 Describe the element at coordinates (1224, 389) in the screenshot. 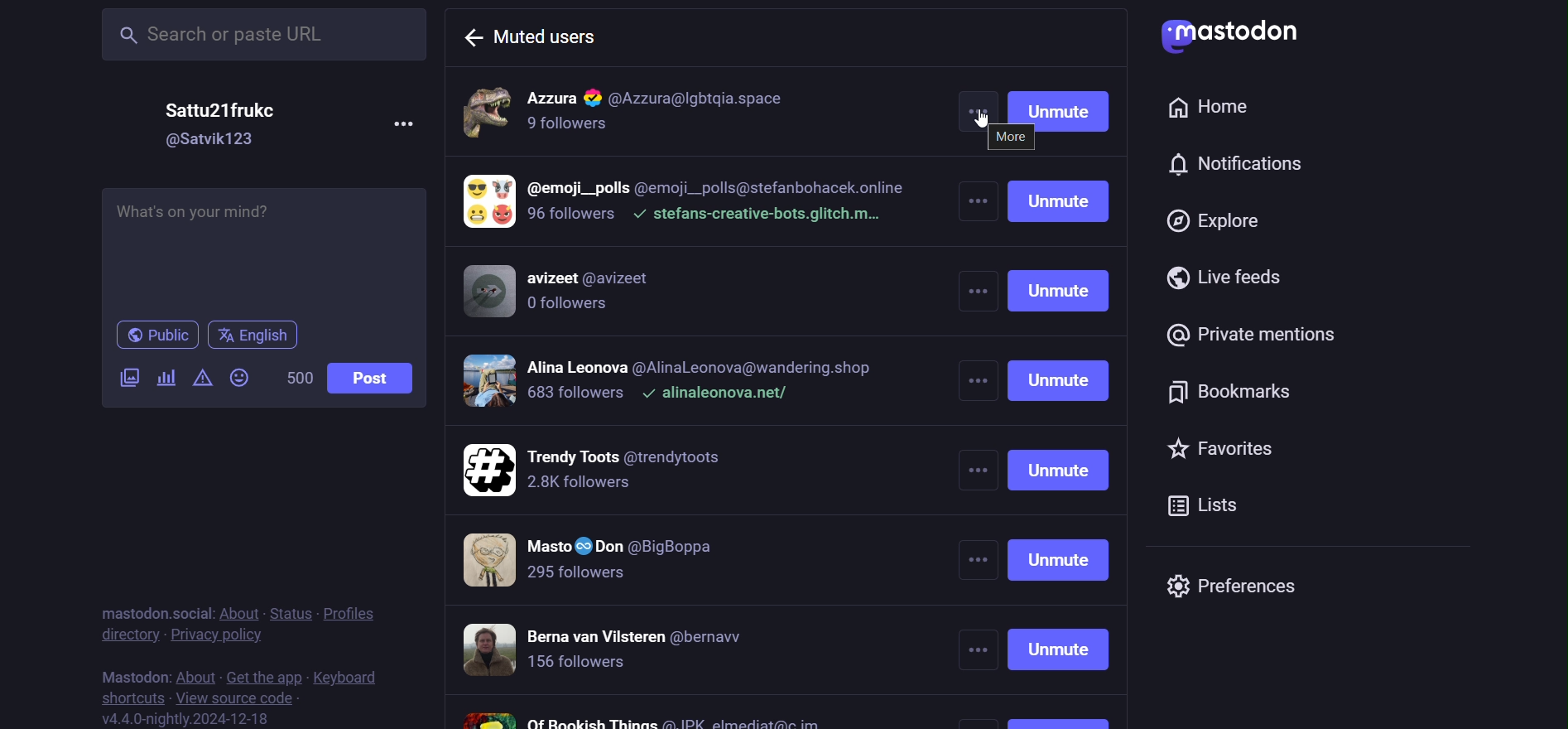

I see `bookmark` at that location.